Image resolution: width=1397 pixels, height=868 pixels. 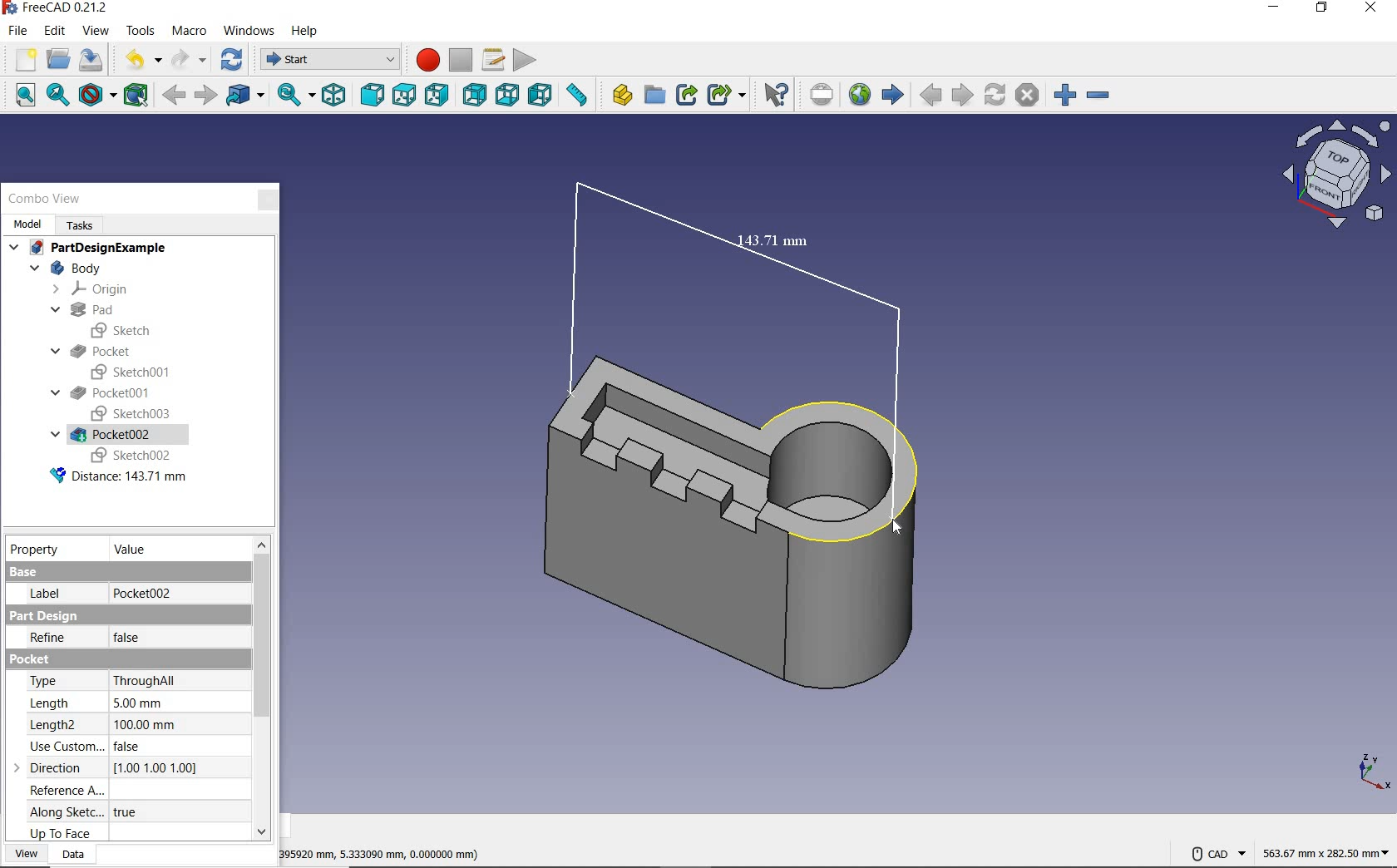 What do you see at coordinates (1370, 772) in the screenshot?
I see `x, y, z axis` at bounding box center [1370, 772].